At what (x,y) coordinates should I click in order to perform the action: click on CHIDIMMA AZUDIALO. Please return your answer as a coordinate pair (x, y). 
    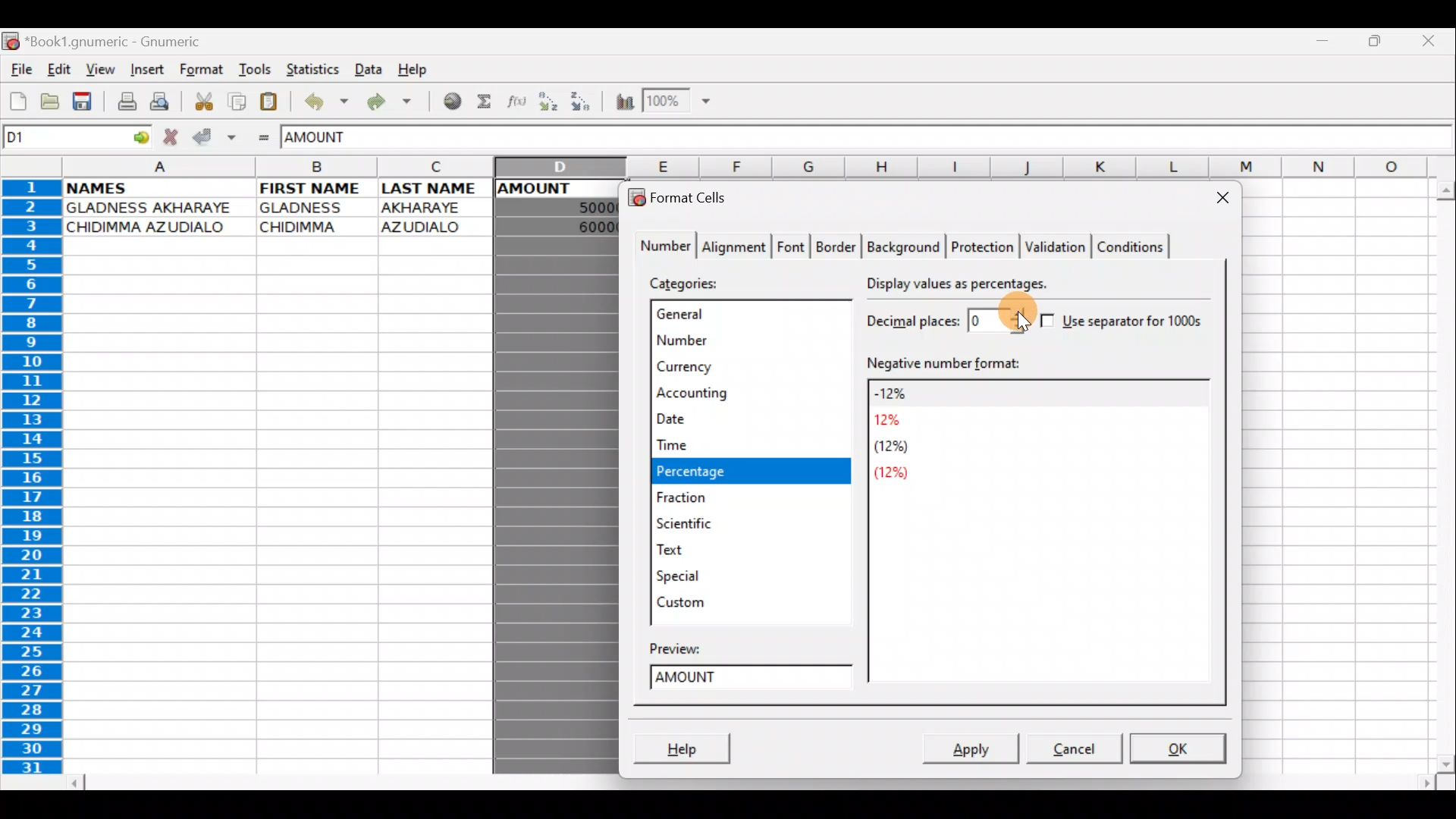
    Looking at the image, I should click on (156, 228).